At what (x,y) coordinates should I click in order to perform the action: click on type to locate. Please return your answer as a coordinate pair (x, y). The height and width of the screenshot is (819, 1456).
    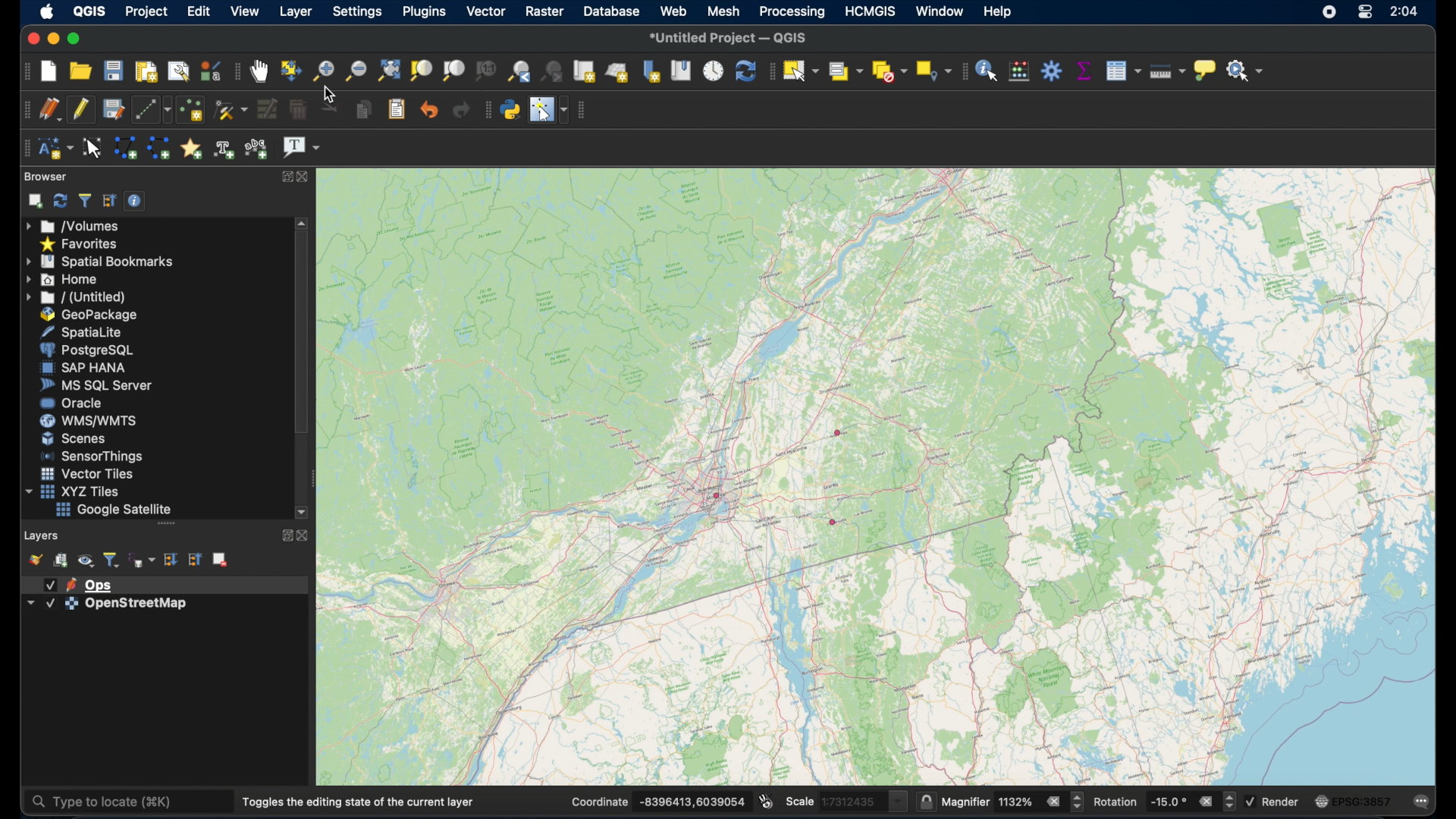
    Looking at the image, I should click on (106, 801).